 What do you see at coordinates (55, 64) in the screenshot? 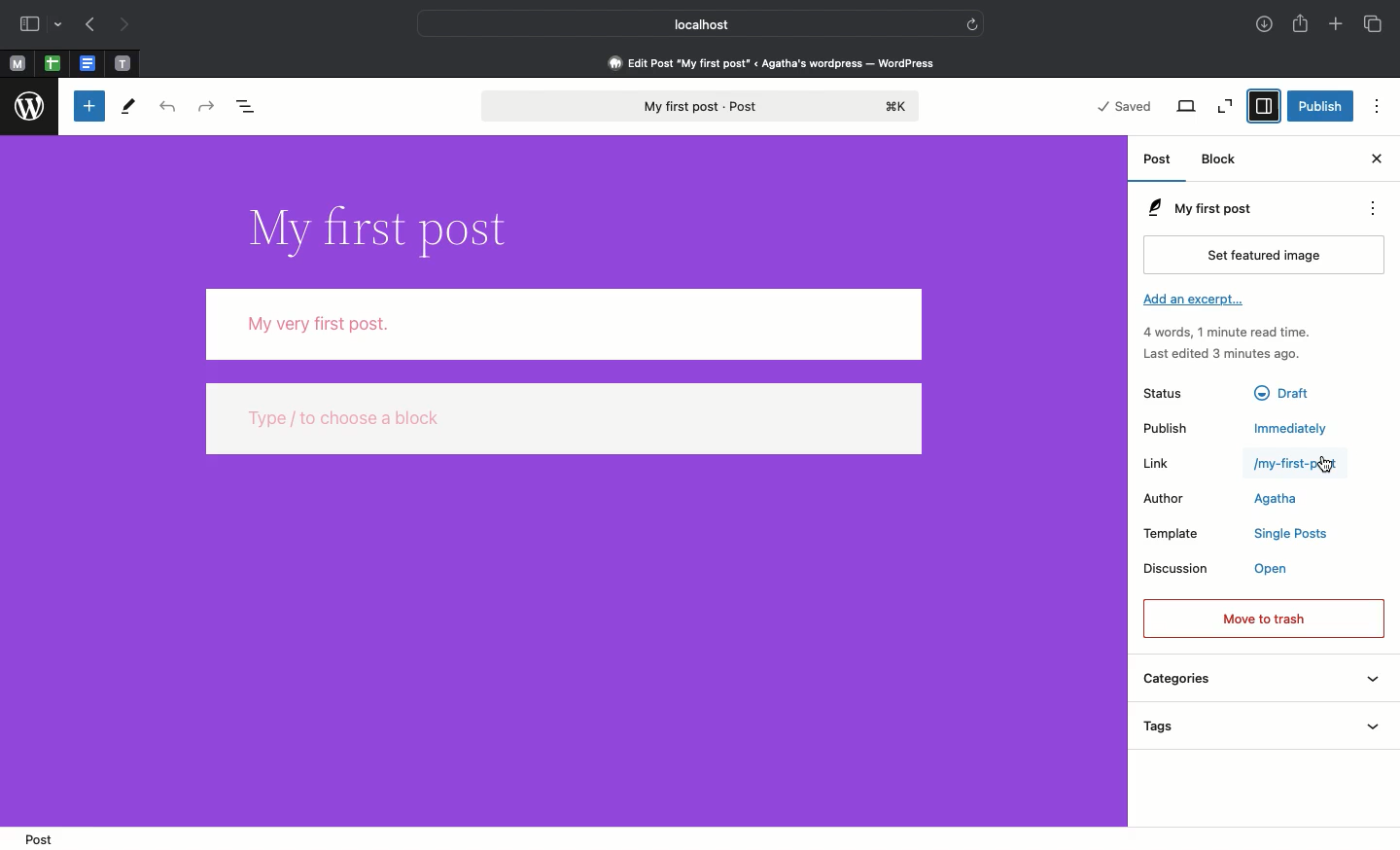
I see `pinned tabs` at bounding box center [55, 64].